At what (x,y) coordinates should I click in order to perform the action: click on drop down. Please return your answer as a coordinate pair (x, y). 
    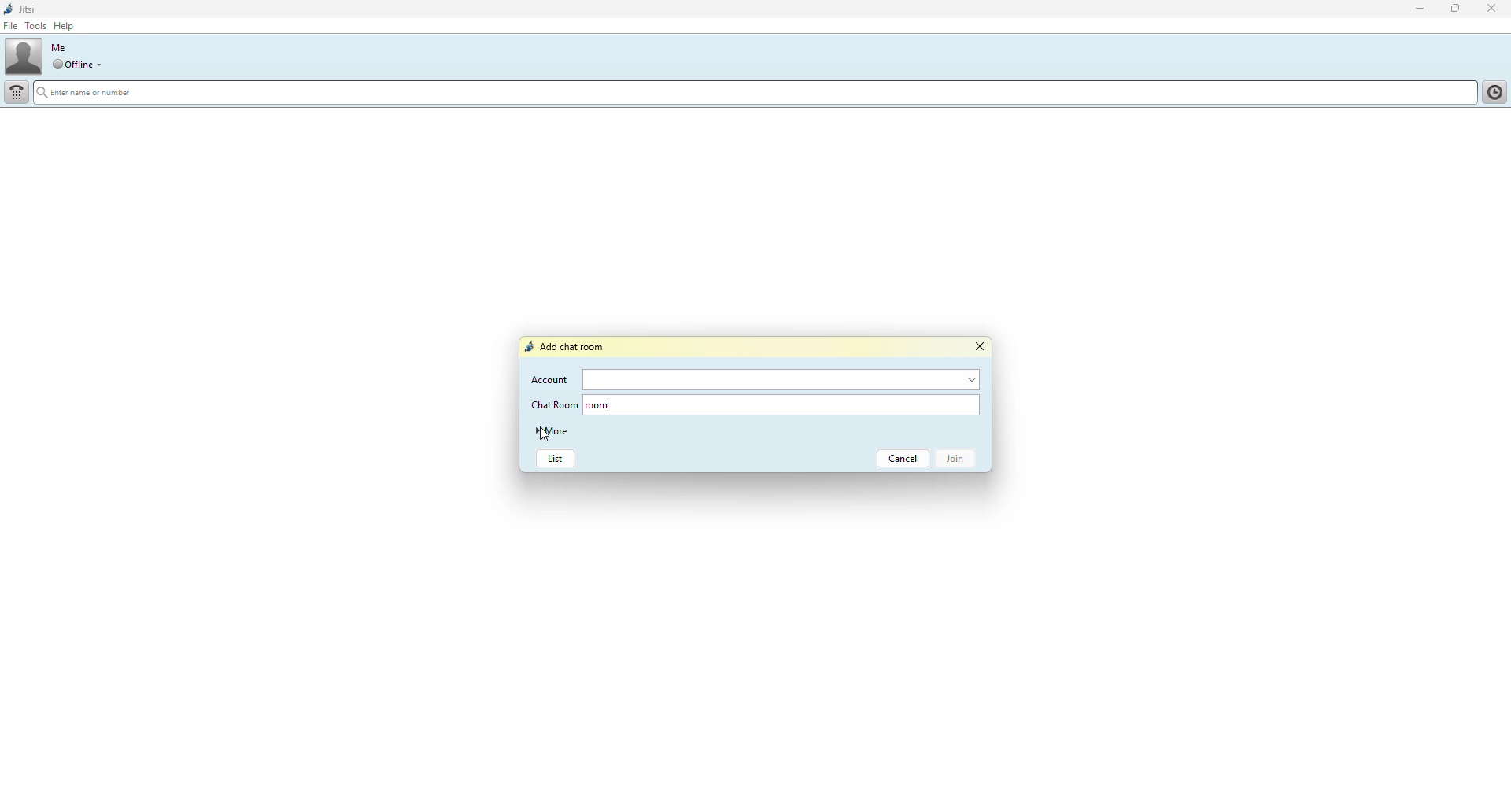
    Looking at the image, I should click on (102, 65).